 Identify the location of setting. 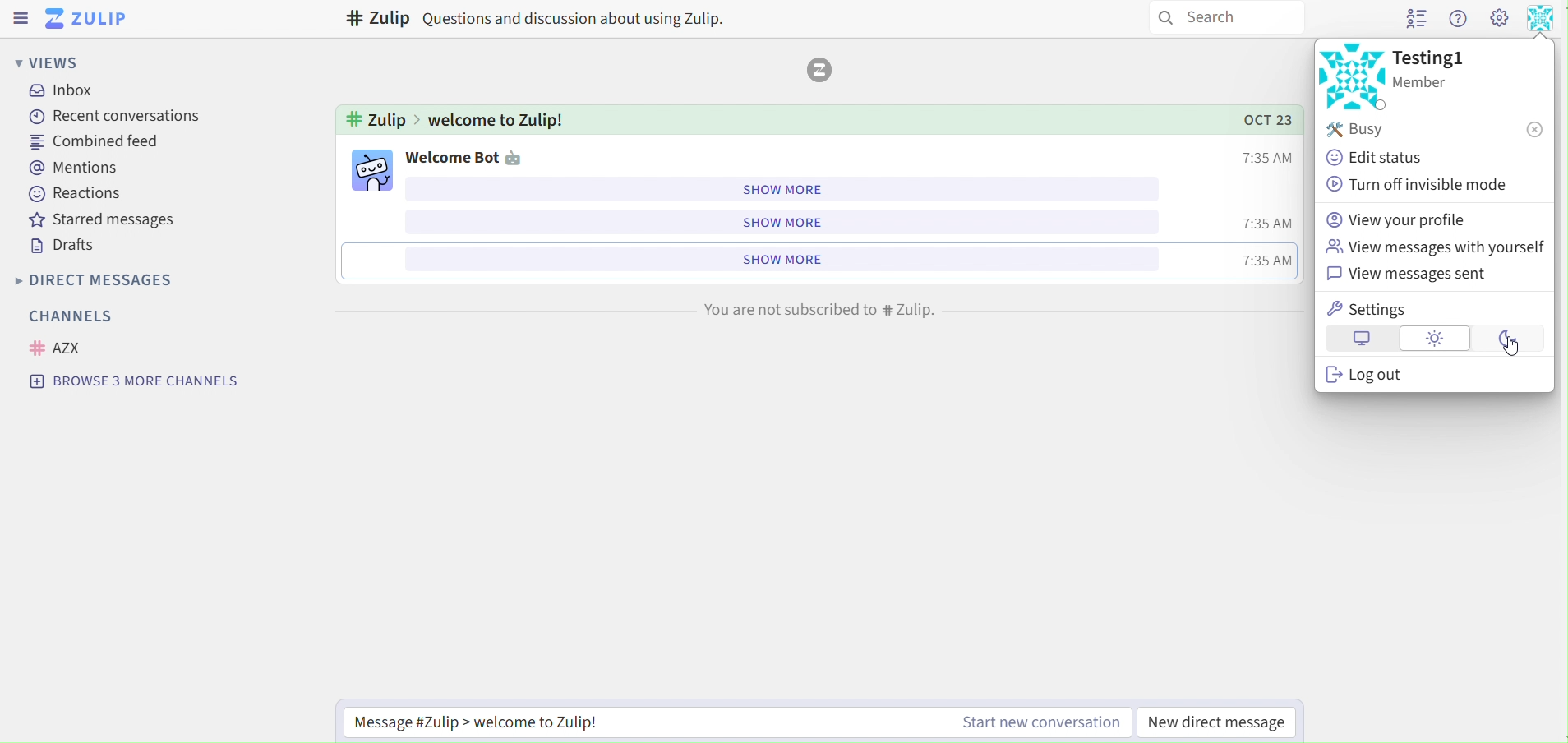
(1499, 21).